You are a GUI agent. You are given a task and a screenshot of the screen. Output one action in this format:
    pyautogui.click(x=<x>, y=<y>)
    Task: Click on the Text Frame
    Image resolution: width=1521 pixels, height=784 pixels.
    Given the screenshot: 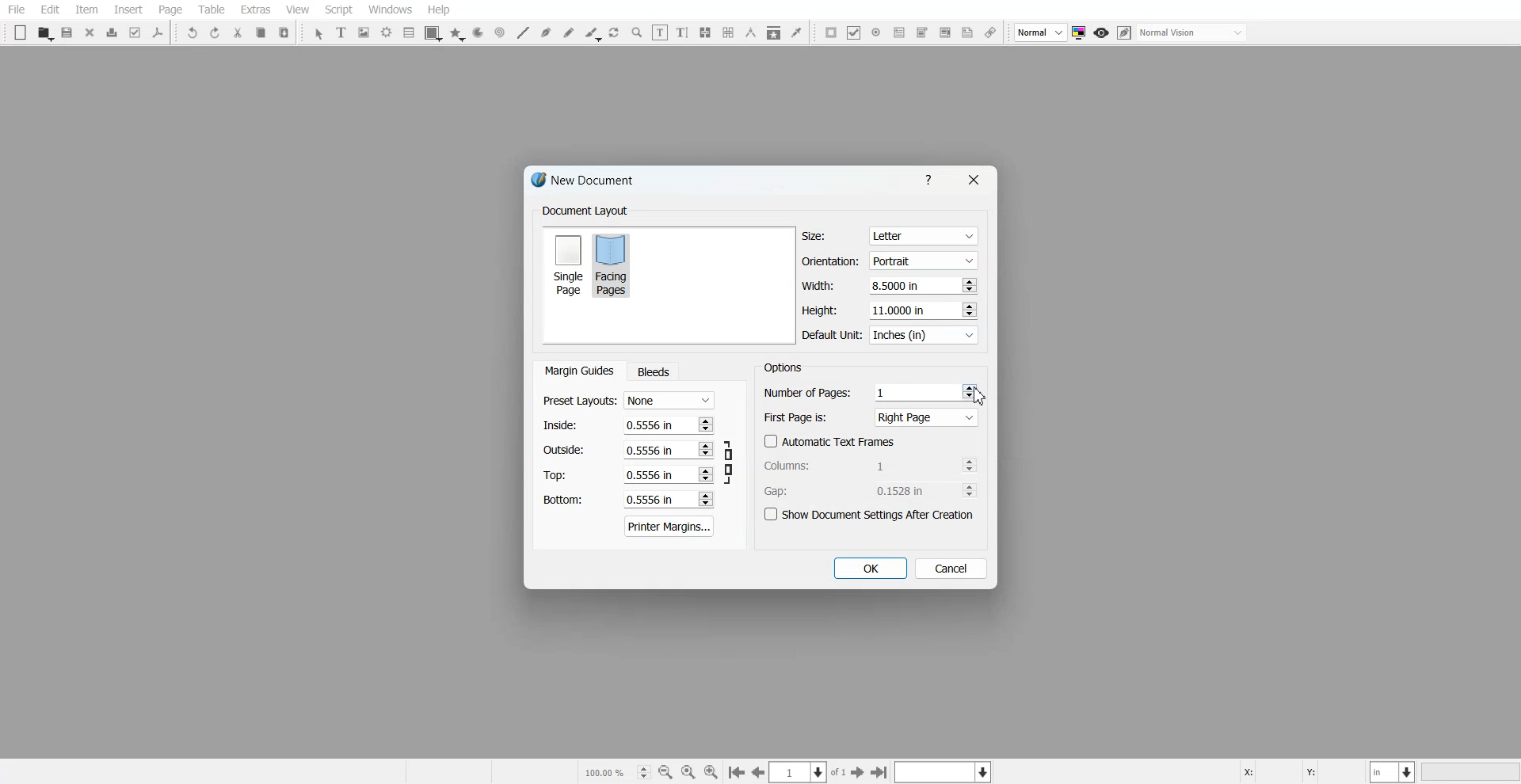 What is the action you would take?
    pyautogui.click(x=342, y=32)
    